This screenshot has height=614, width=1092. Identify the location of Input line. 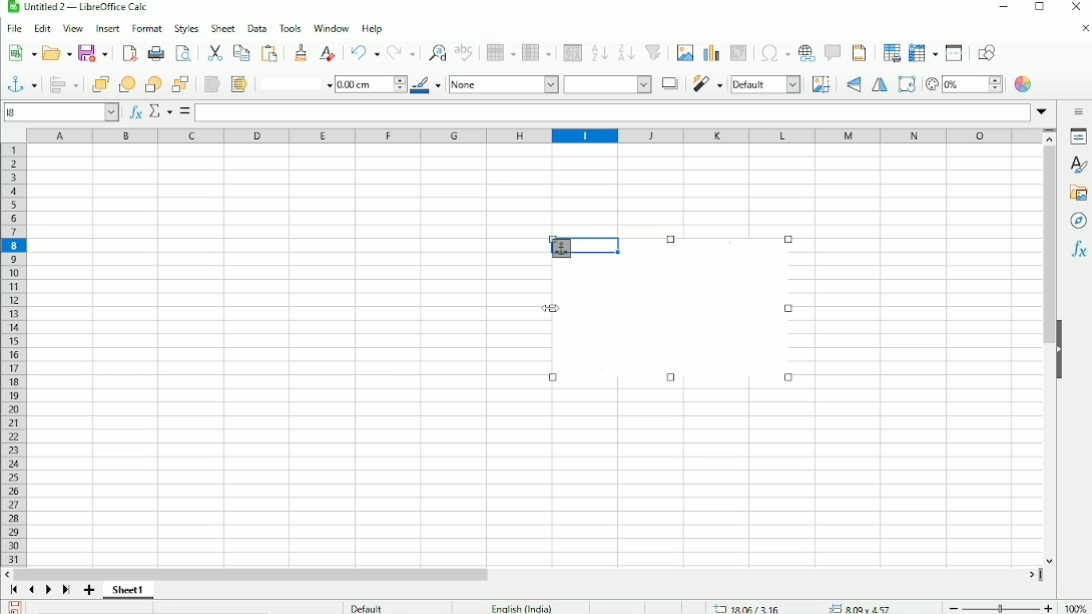
(613, 111).